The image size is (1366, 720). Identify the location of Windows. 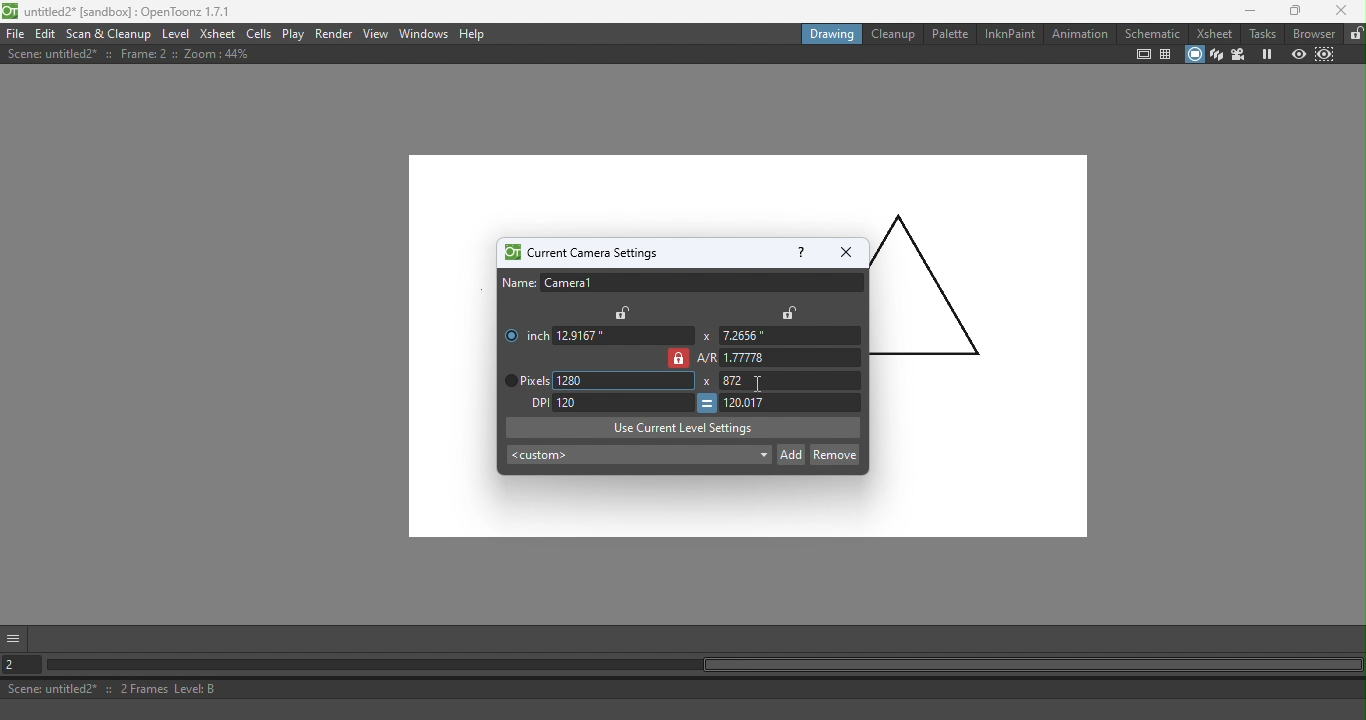
(424, 33).